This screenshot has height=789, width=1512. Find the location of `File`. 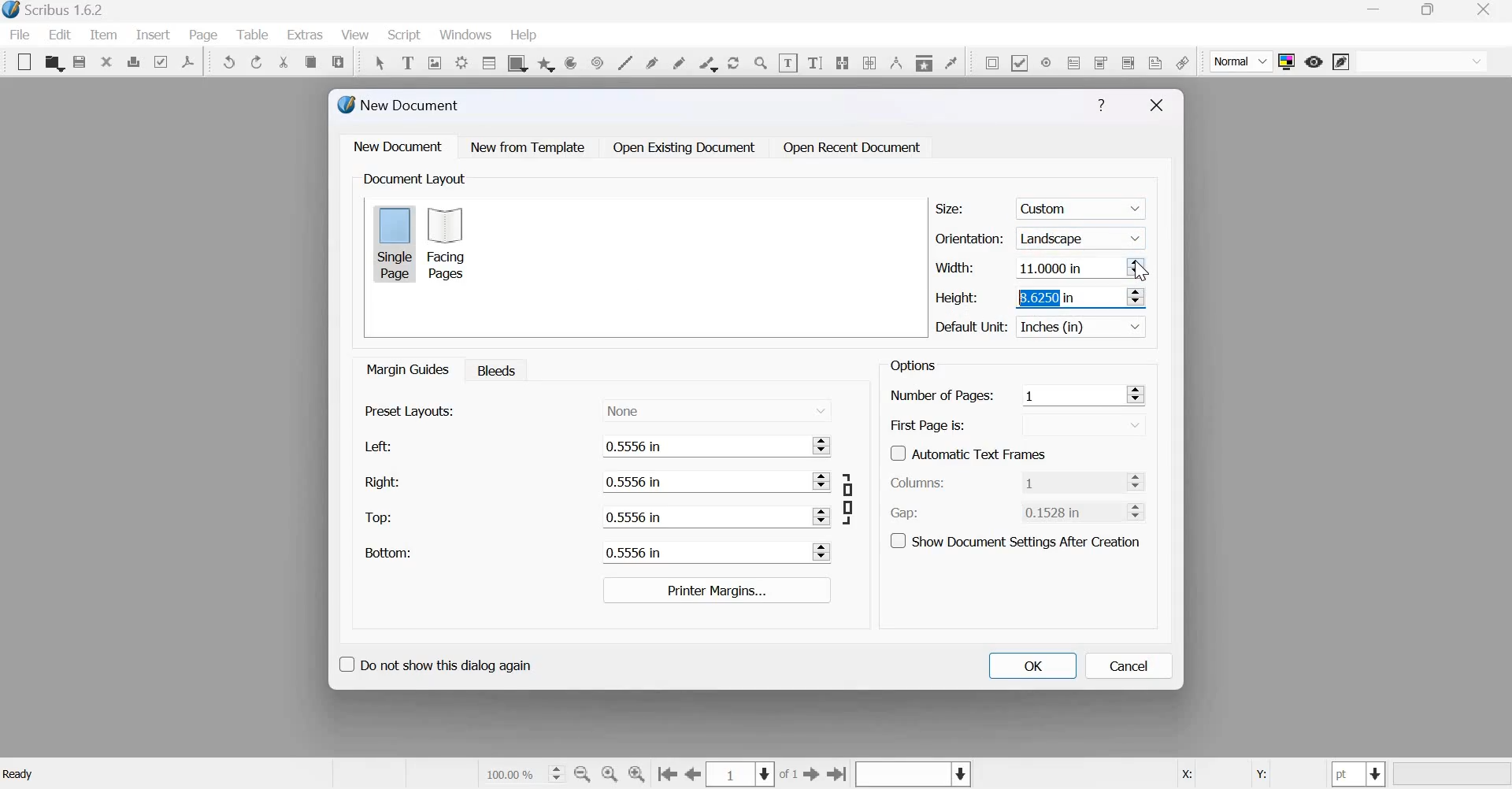

File is located at coordinates (24, 35).